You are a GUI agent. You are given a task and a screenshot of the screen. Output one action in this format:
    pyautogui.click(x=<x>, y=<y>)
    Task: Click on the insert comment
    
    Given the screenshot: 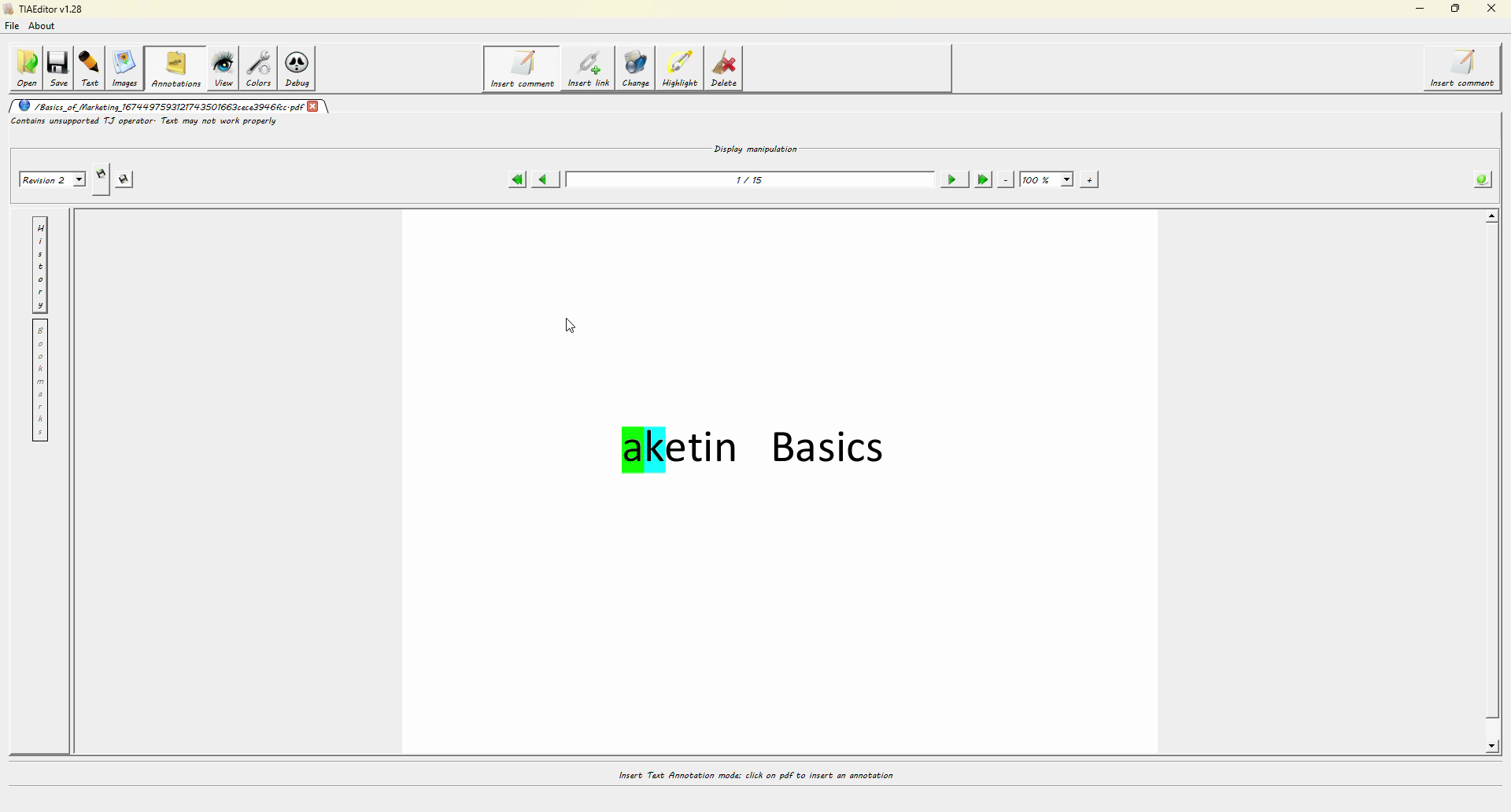 What is the action you would take?
    pyautogui.click(x=1466, y=68)
    